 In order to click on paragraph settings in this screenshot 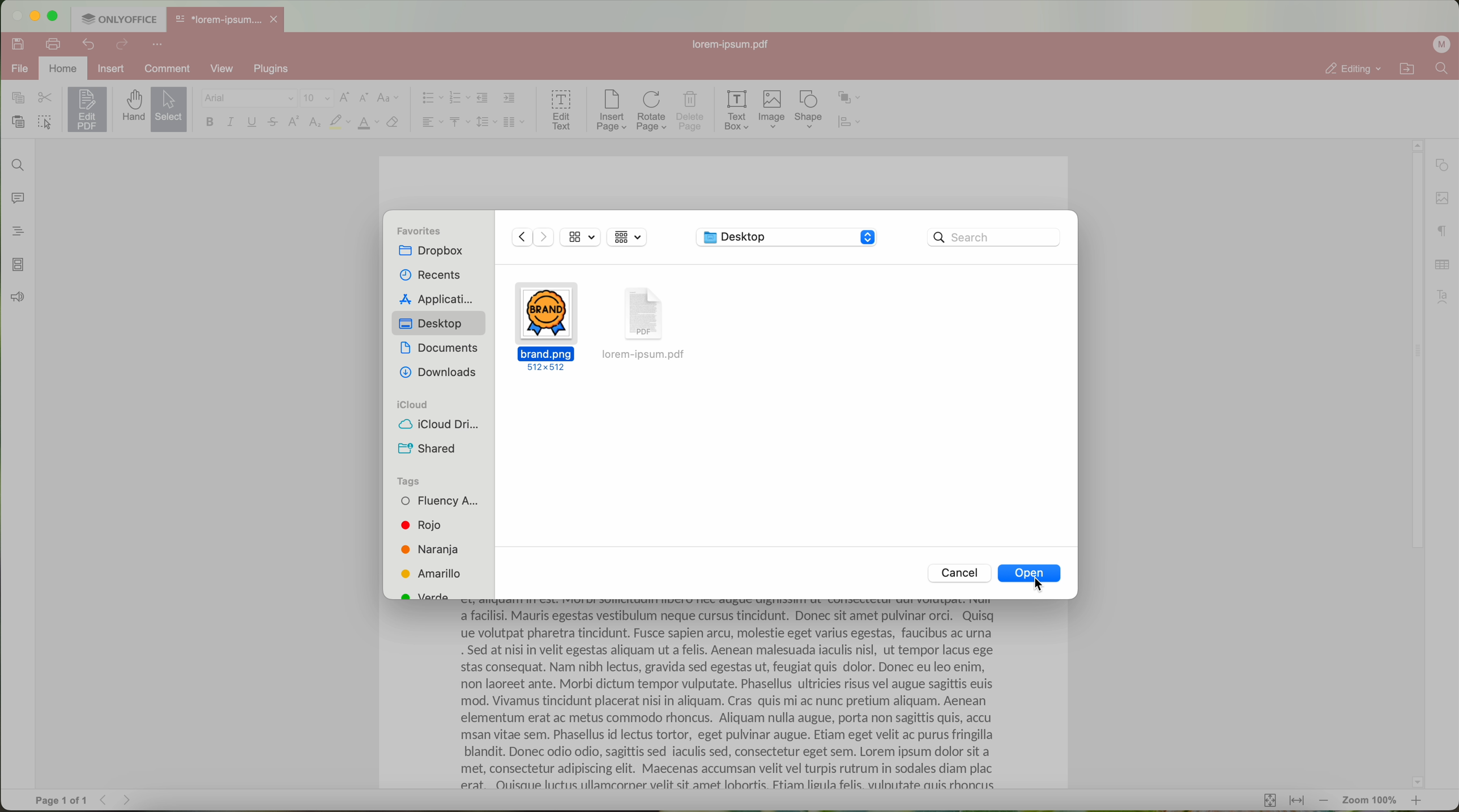, I will do `click(1443, 230)`.